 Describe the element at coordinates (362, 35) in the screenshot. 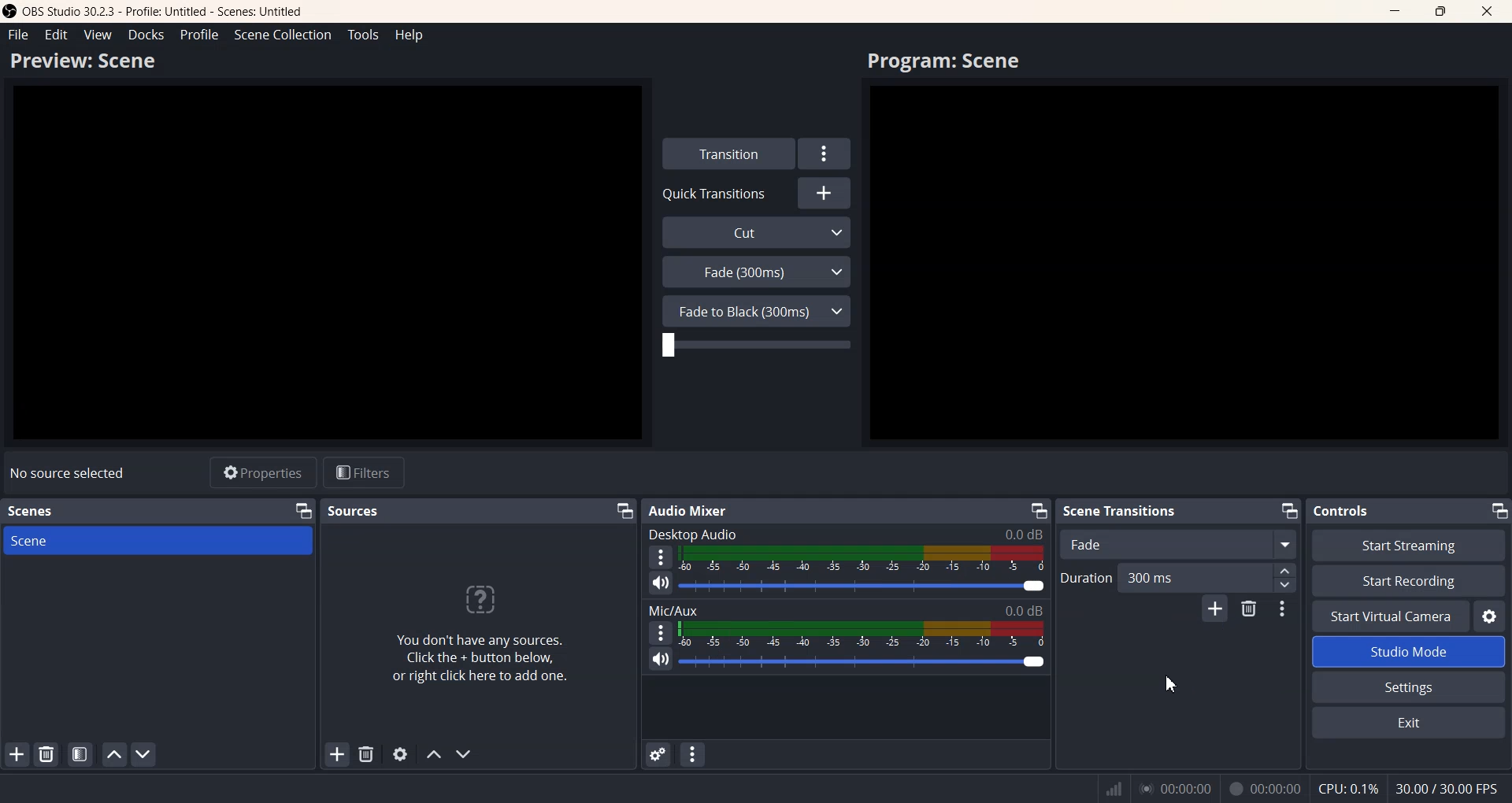

I see `Tools` at that location.